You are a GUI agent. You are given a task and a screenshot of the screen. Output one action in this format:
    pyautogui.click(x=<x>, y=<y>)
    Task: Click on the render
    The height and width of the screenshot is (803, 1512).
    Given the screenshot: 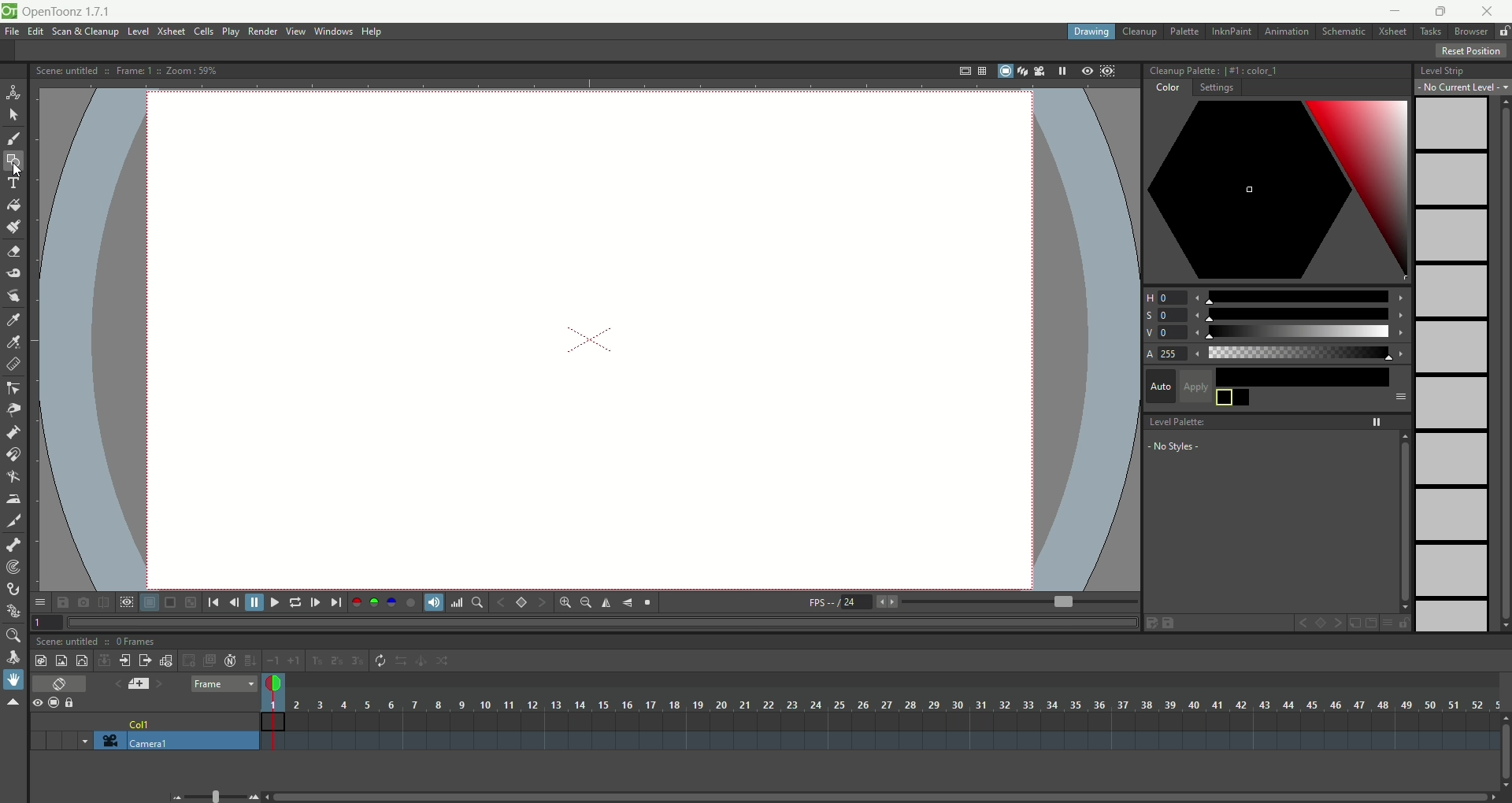 What is the action you would take?
    pyautogui.click(x=264, y=32)
    